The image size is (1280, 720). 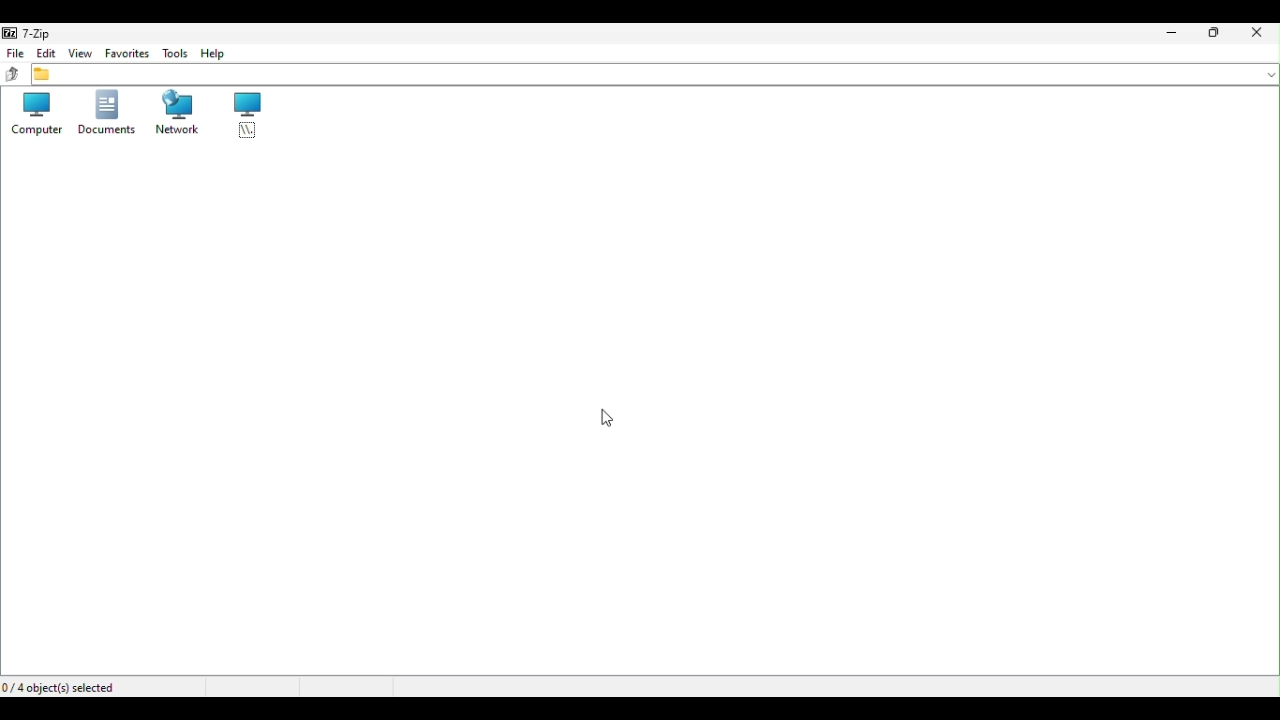 I want to click on Favourite, so click(x=129, y=55).